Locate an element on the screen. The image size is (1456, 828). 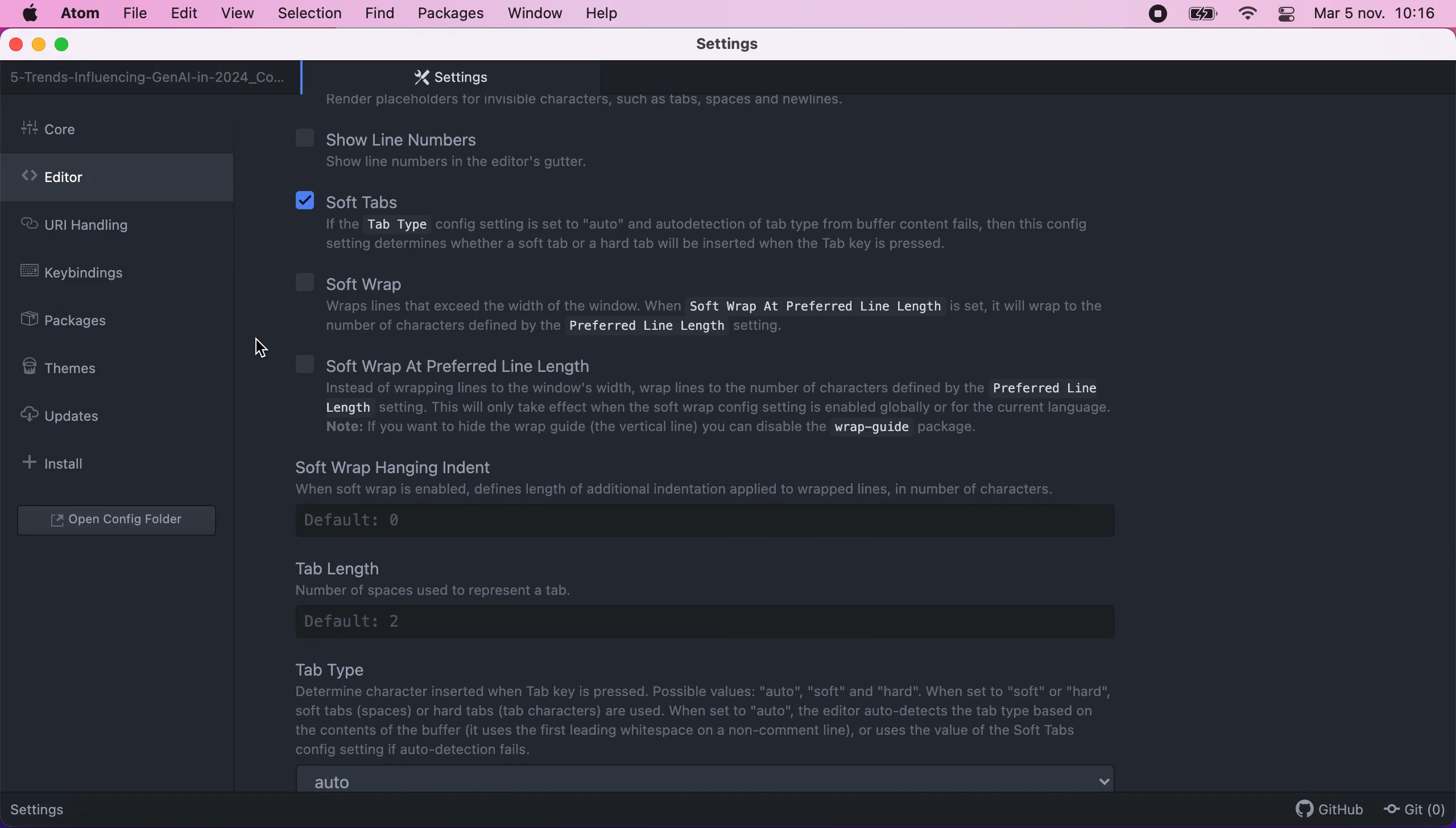
tab is located at coordinates (148, 77).